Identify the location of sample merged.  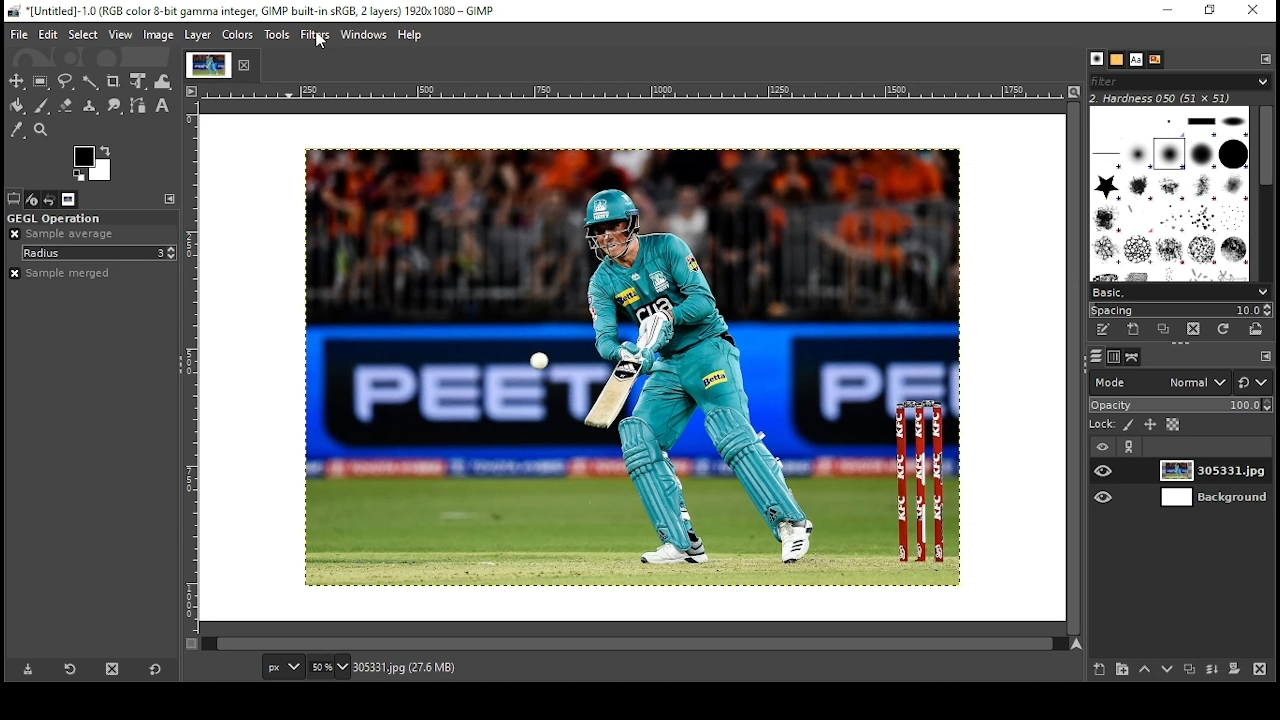
(60, 273).